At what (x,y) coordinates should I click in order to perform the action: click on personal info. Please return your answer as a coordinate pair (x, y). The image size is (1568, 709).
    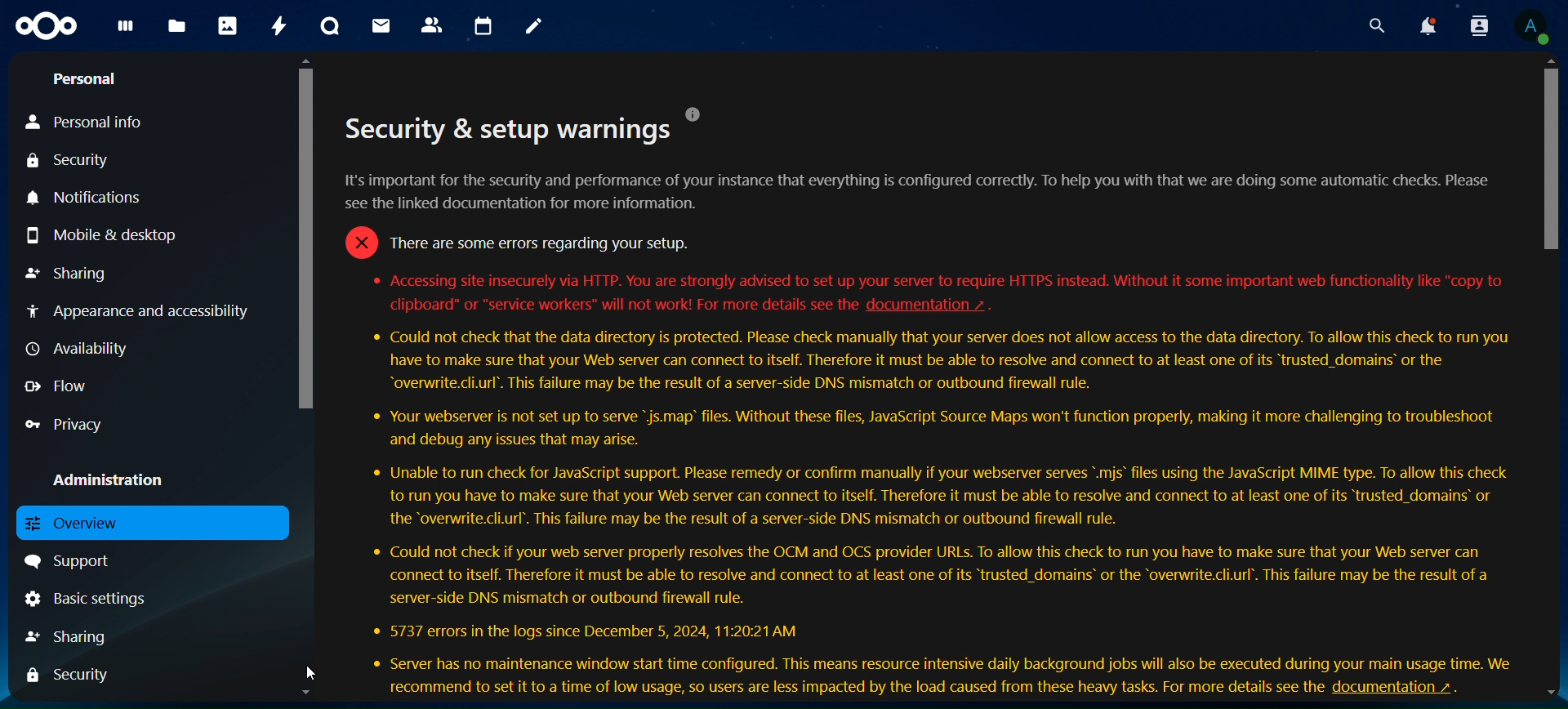
    Looking at the image, I should click on (89, 121).